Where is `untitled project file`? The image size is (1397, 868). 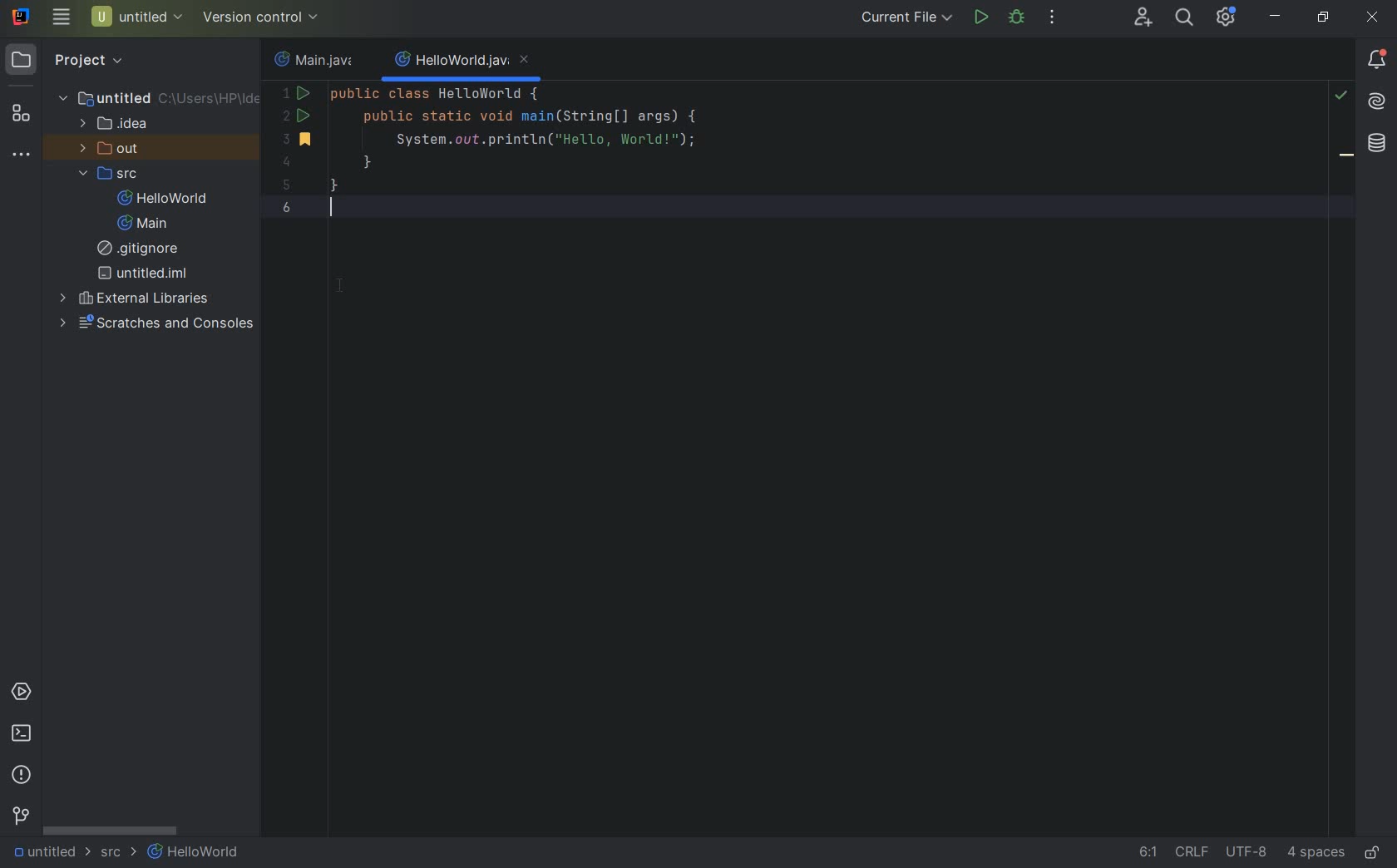
untitled project file is located at coordinates (136, 17).